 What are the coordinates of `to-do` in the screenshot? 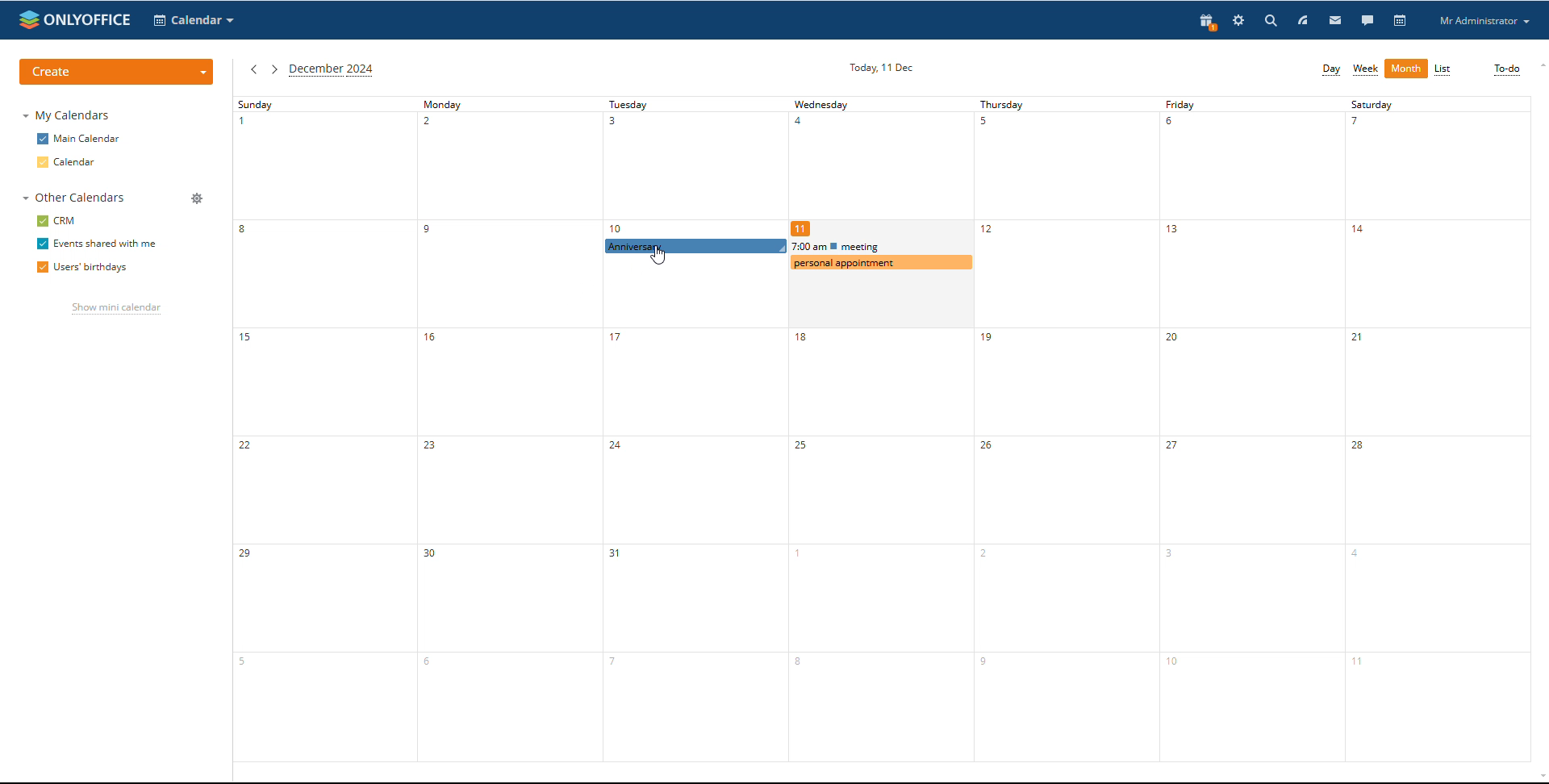 It's located at (1507, 70).